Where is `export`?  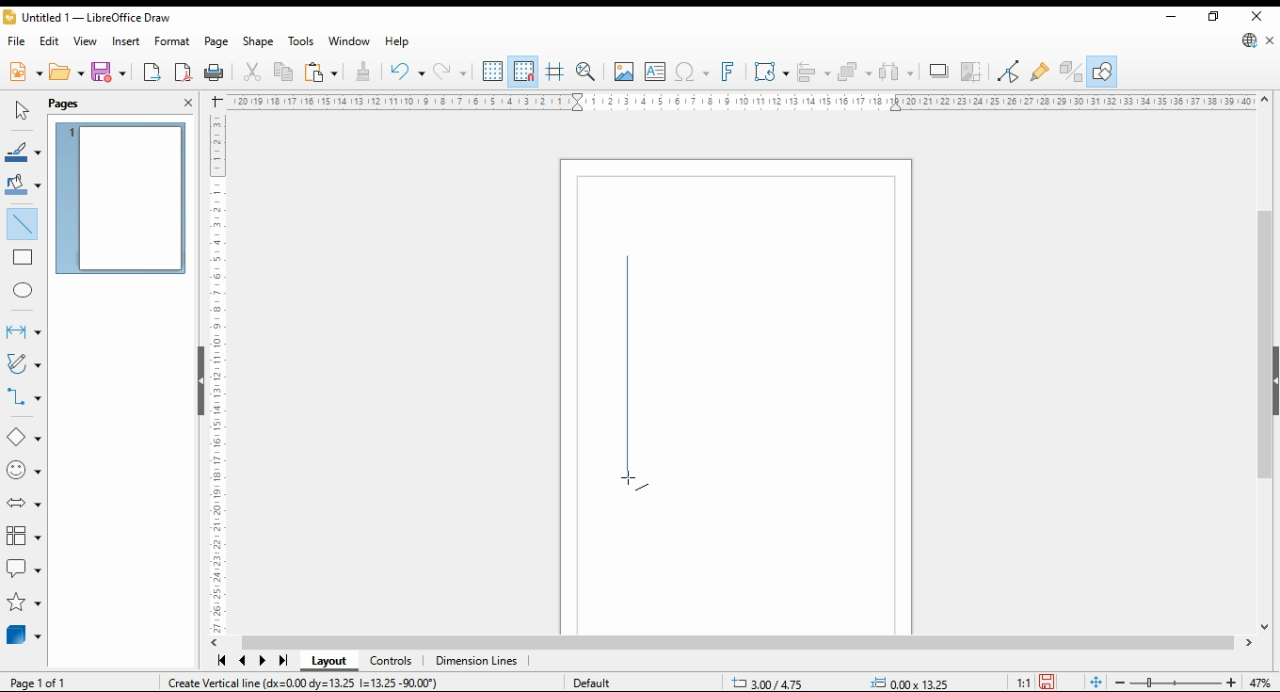 export is located at coordinates (153, 73).